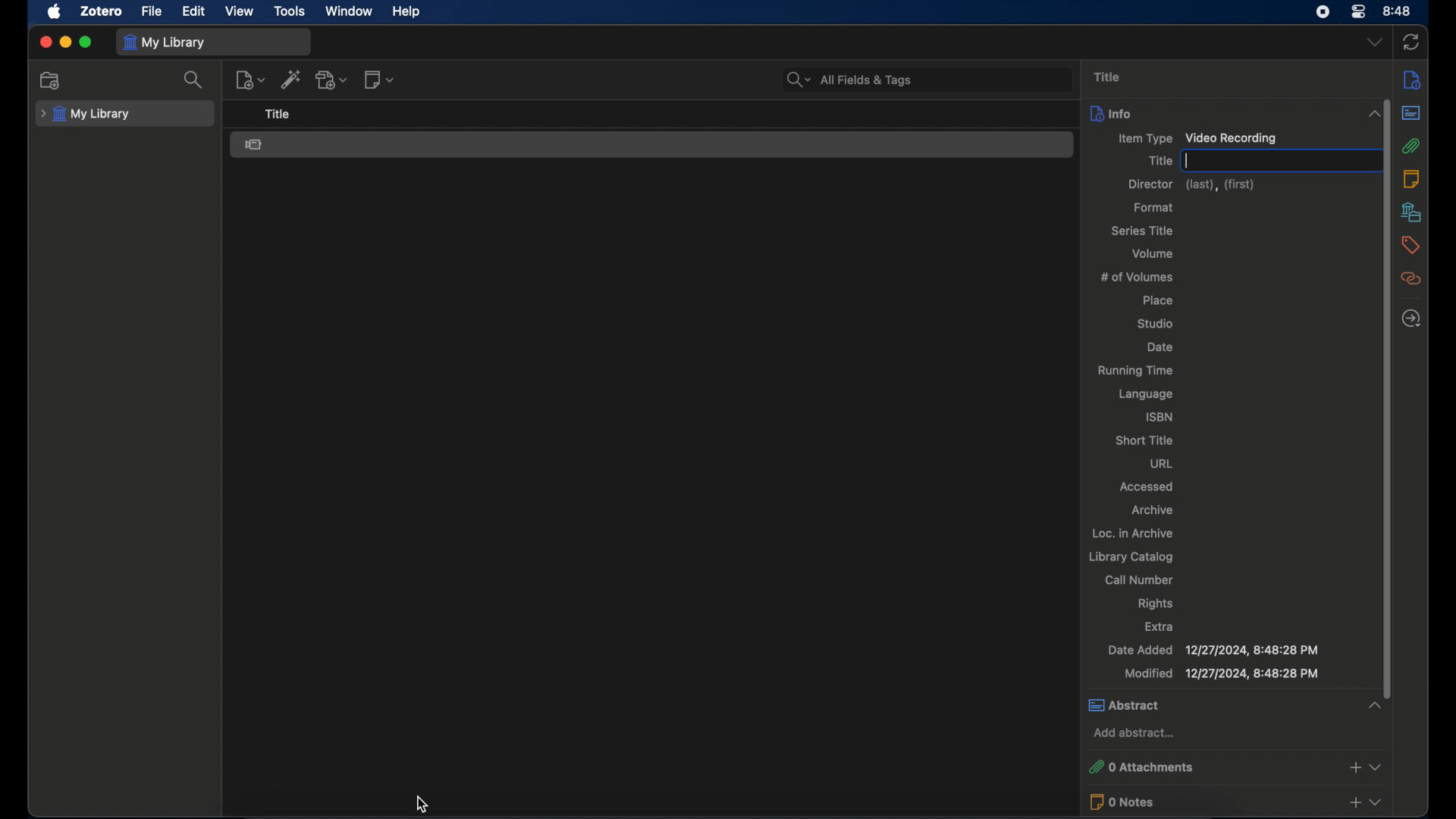  What do you see at coordinates (1212, 651) in the screenshot?
I see `Date Added 12/27/2024, 8:48:28 PM` at bounding box center [1212, 651].